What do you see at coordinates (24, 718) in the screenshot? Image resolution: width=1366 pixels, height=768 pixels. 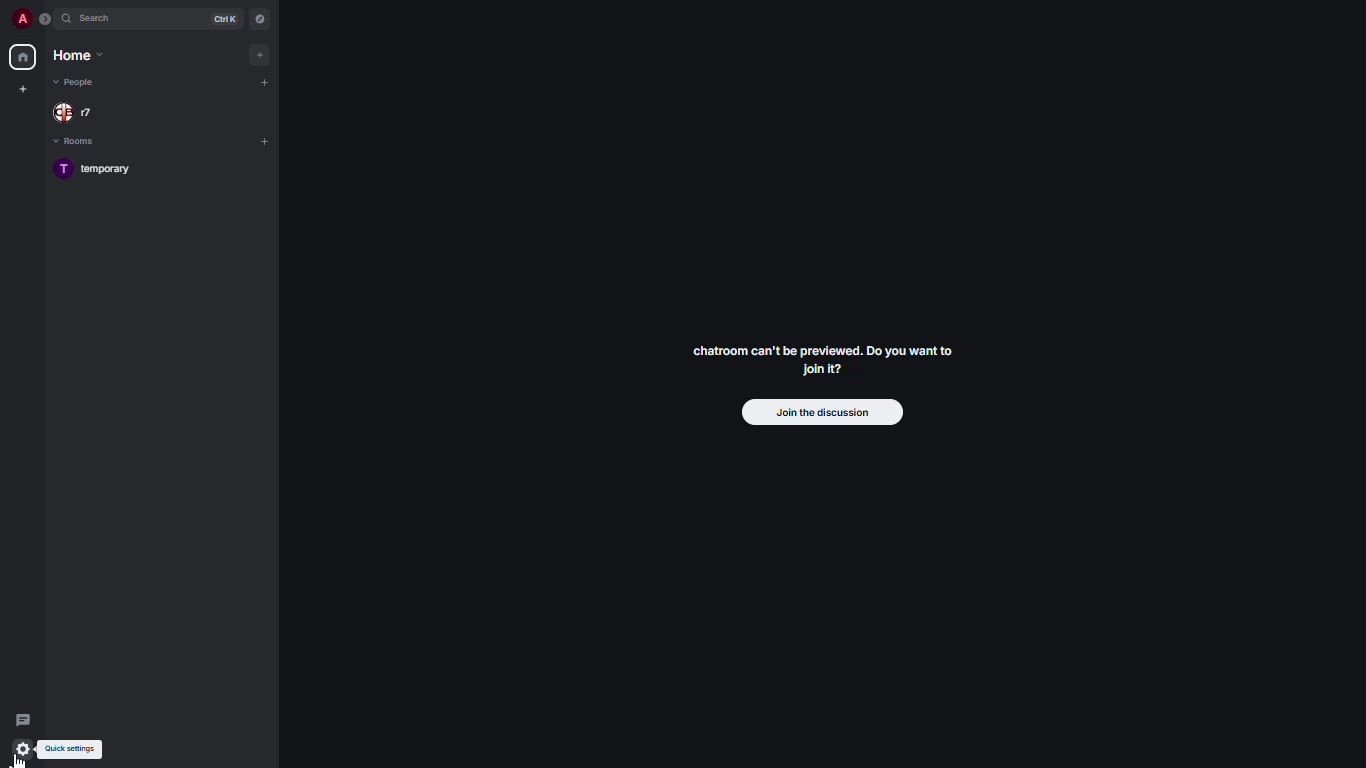 I see `threads` at bounding box center [24, 718].